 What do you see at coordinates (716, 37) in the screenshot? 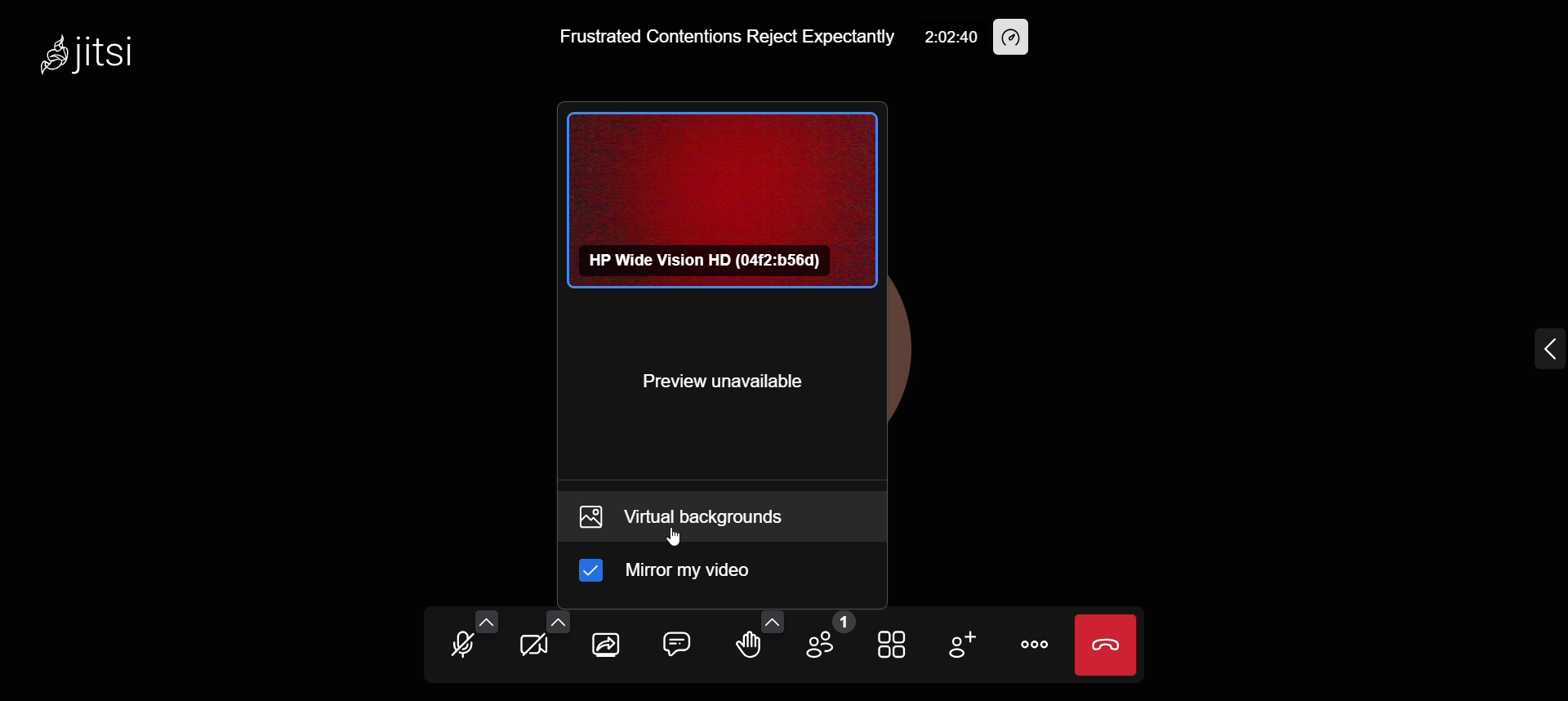
I see `Frustrated Contentions Reject Expectantly` at bounding box center [716, 37].